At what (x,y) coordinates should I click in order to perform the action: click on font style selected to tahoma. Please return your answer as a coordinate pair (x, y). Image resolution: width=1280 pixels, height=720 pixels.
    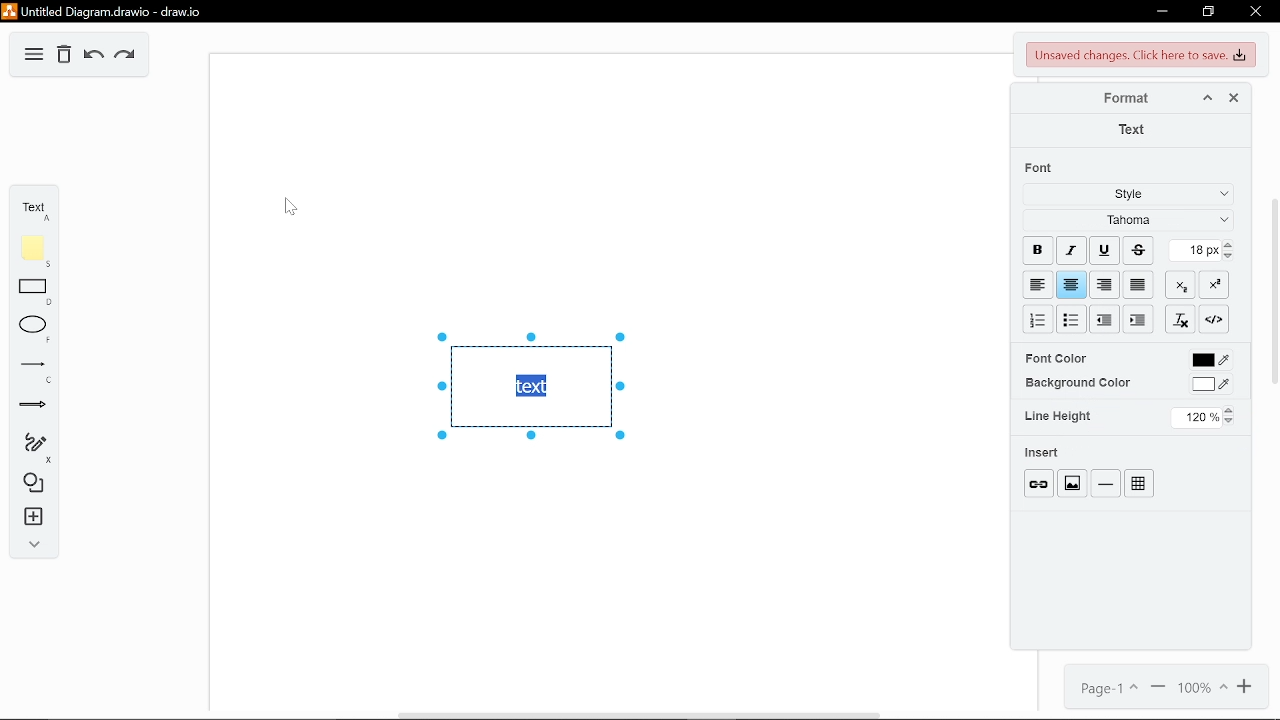
    Looking at the image, I should click on (1125, 221).